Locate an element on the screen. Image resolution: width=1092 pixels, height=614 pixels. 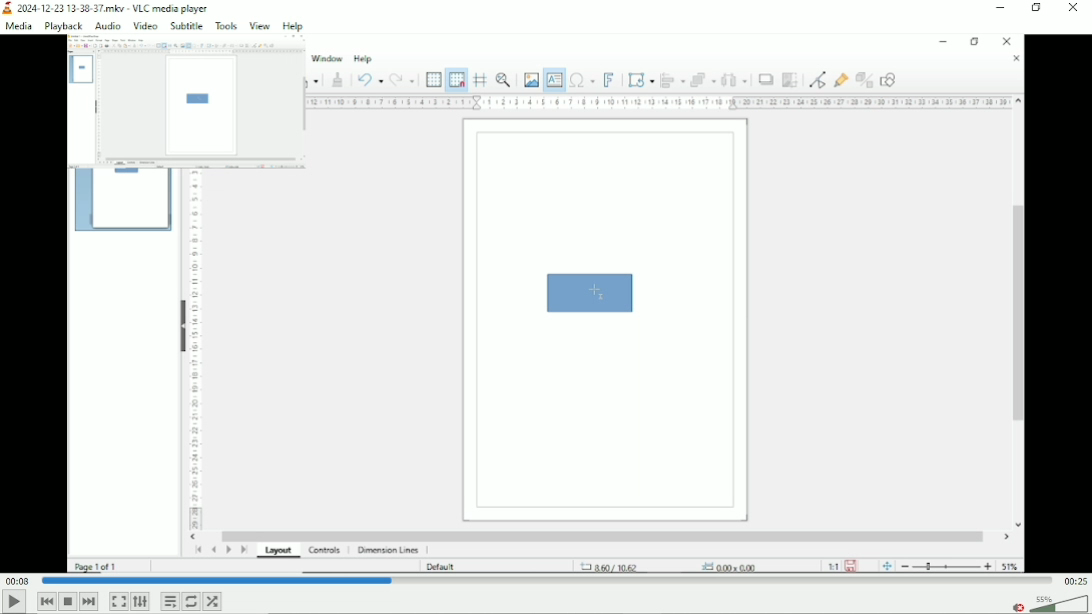
Play duration is located at coordinates (547, 581).